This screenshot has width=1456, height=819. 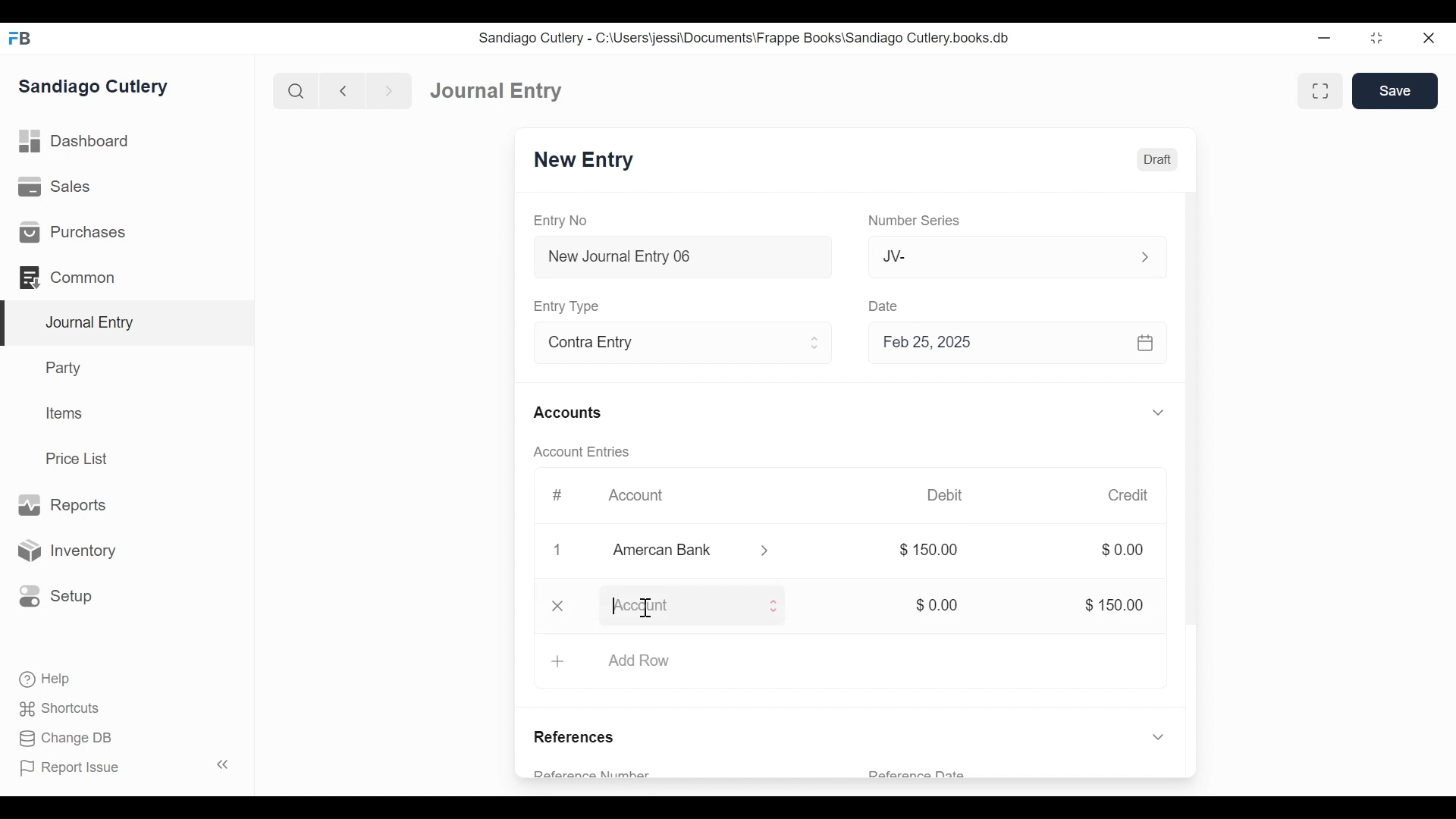 What do you see at coordinates (1157, 160) in the screenshot?
I see `Draft` at bounding box center [1157, 160].